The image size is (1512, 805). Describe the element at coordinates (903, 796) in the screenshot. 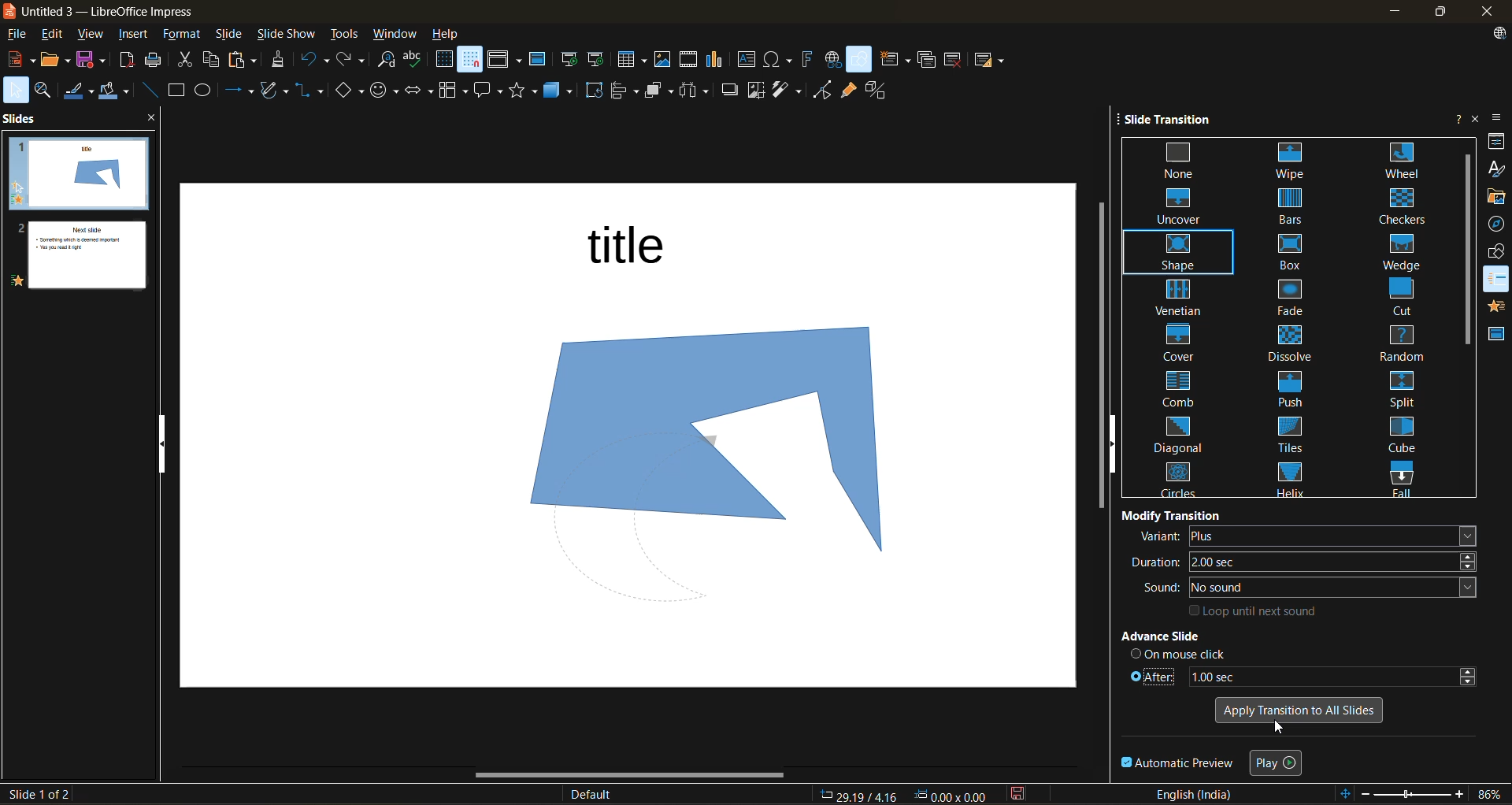

I see `co ordinates` at that location.